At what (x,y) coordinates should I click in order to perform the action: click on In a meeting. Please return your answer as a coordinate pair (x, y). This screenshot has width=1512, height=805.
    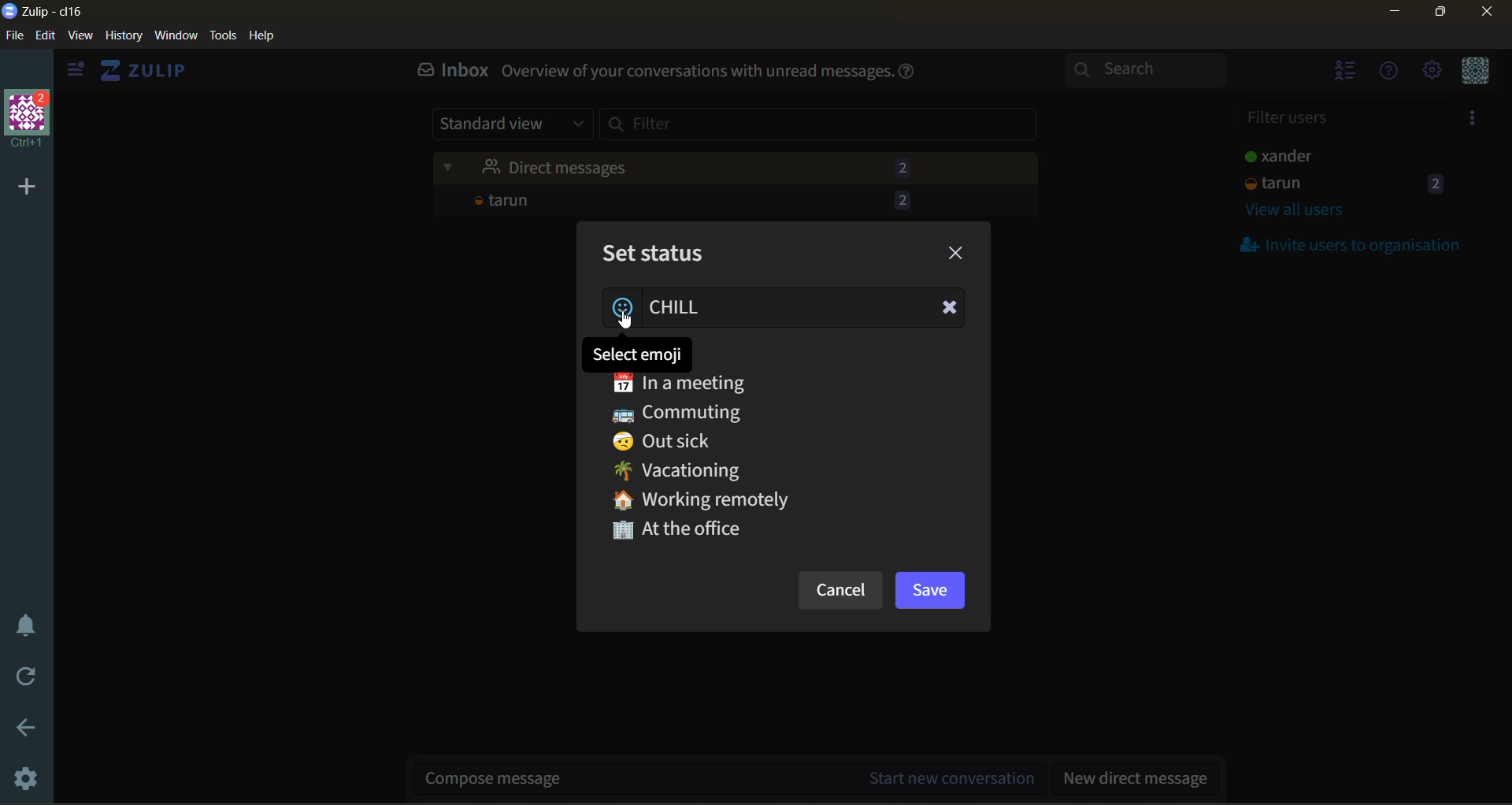
    Looking at the image, I should click on (732, 380).